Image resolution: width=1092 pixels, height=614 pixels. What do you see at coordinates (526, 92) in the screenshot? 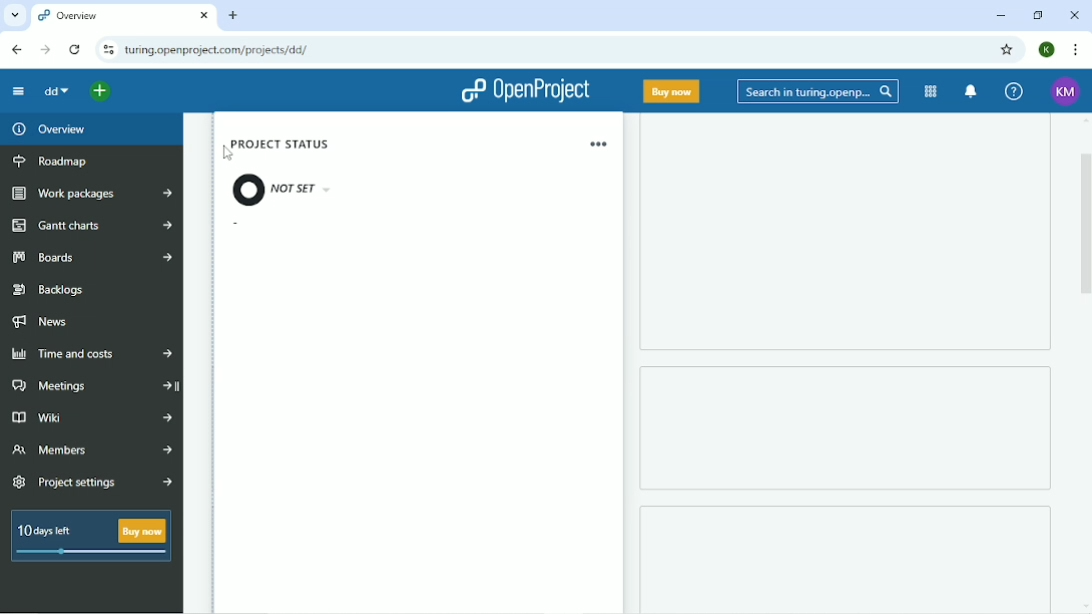
I see `OpenProject` at bounding box center [526, 92].